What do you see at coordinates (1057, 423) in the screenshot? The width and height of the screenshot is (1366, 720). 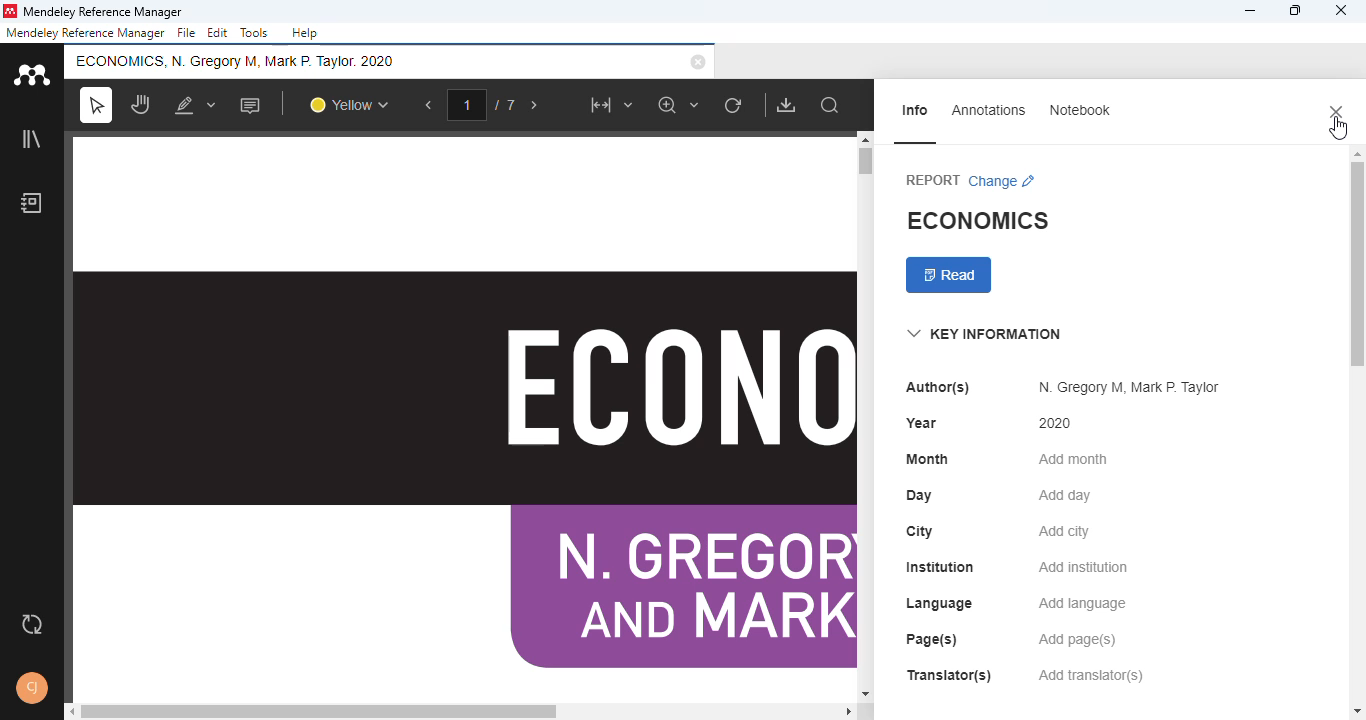 I see `2020` at bounding box center [1057, 423].